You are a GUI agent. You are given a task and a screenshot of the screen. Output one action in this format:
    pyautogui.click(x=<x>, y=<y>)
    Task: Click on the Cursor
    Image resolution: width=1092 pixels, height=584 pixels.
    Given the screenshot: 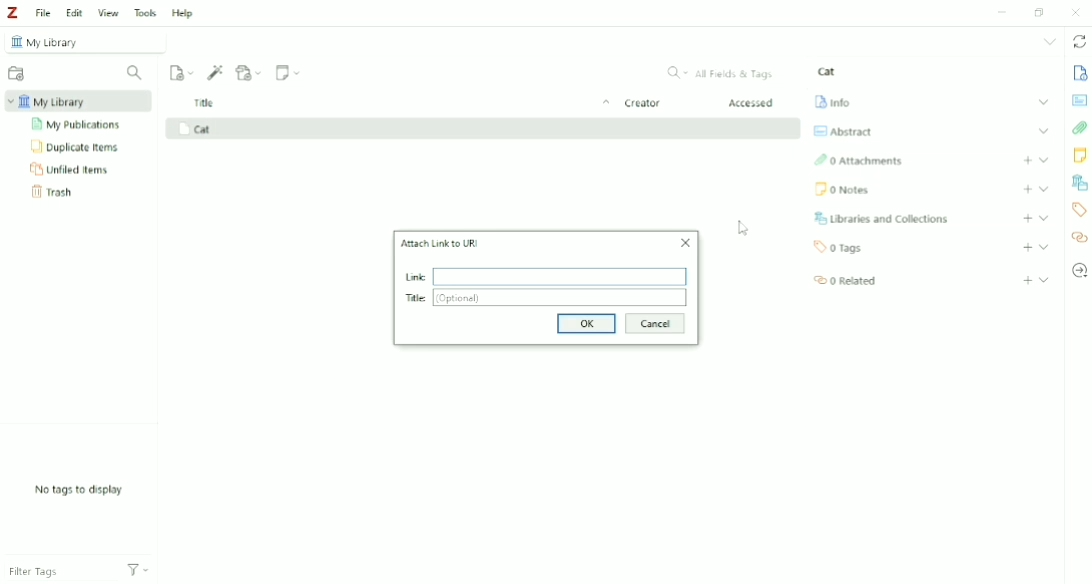 What is the action you would take?
    pyautogui.click(x=744, y=227)
    